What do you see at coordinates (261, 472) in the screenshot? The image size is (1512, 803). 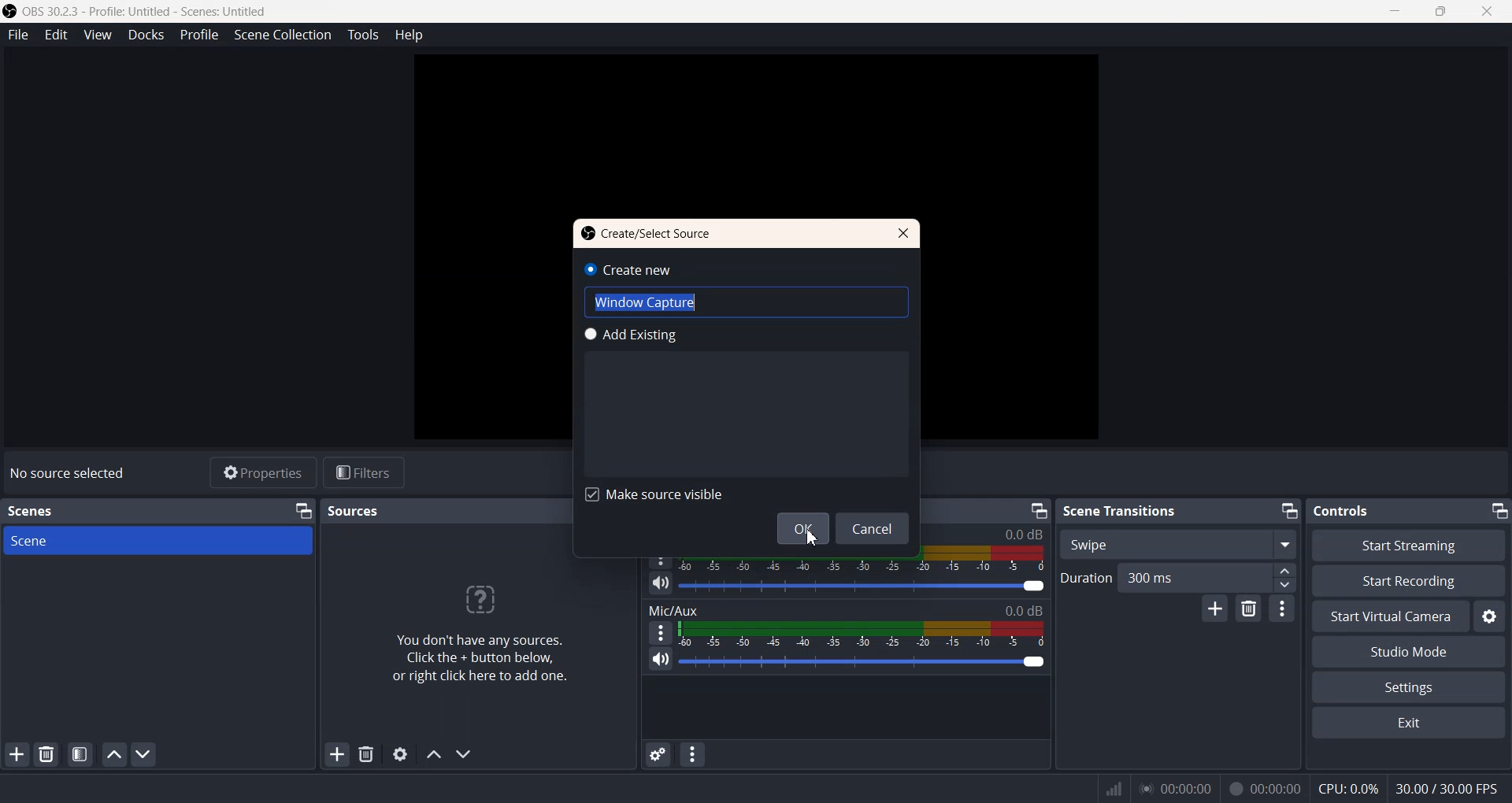 I see `Properties` at bounding box center [261, 472].